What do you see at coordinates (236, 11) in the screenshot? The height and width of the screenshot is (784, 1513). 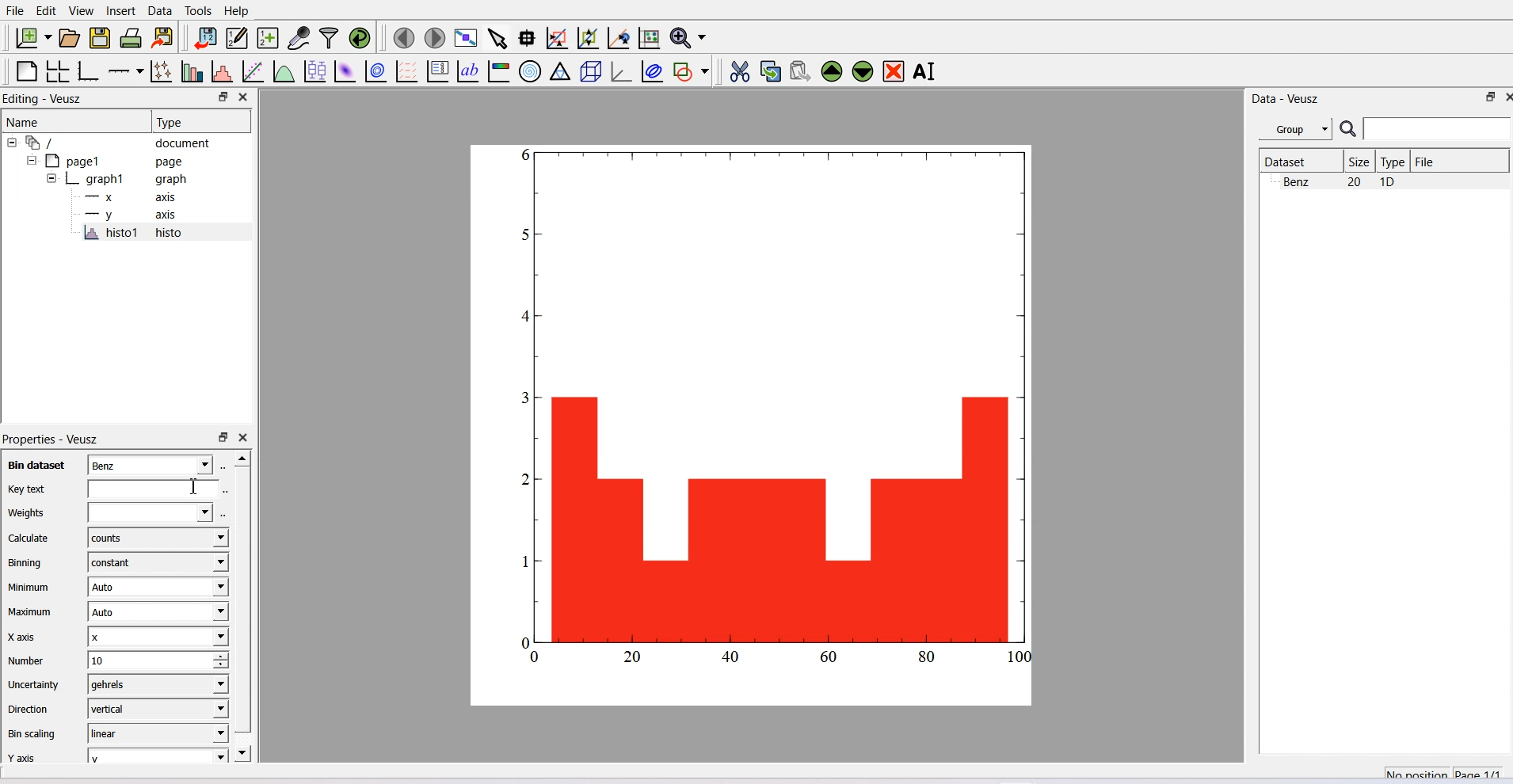 I see `Help` at bounding box center [236, 11].